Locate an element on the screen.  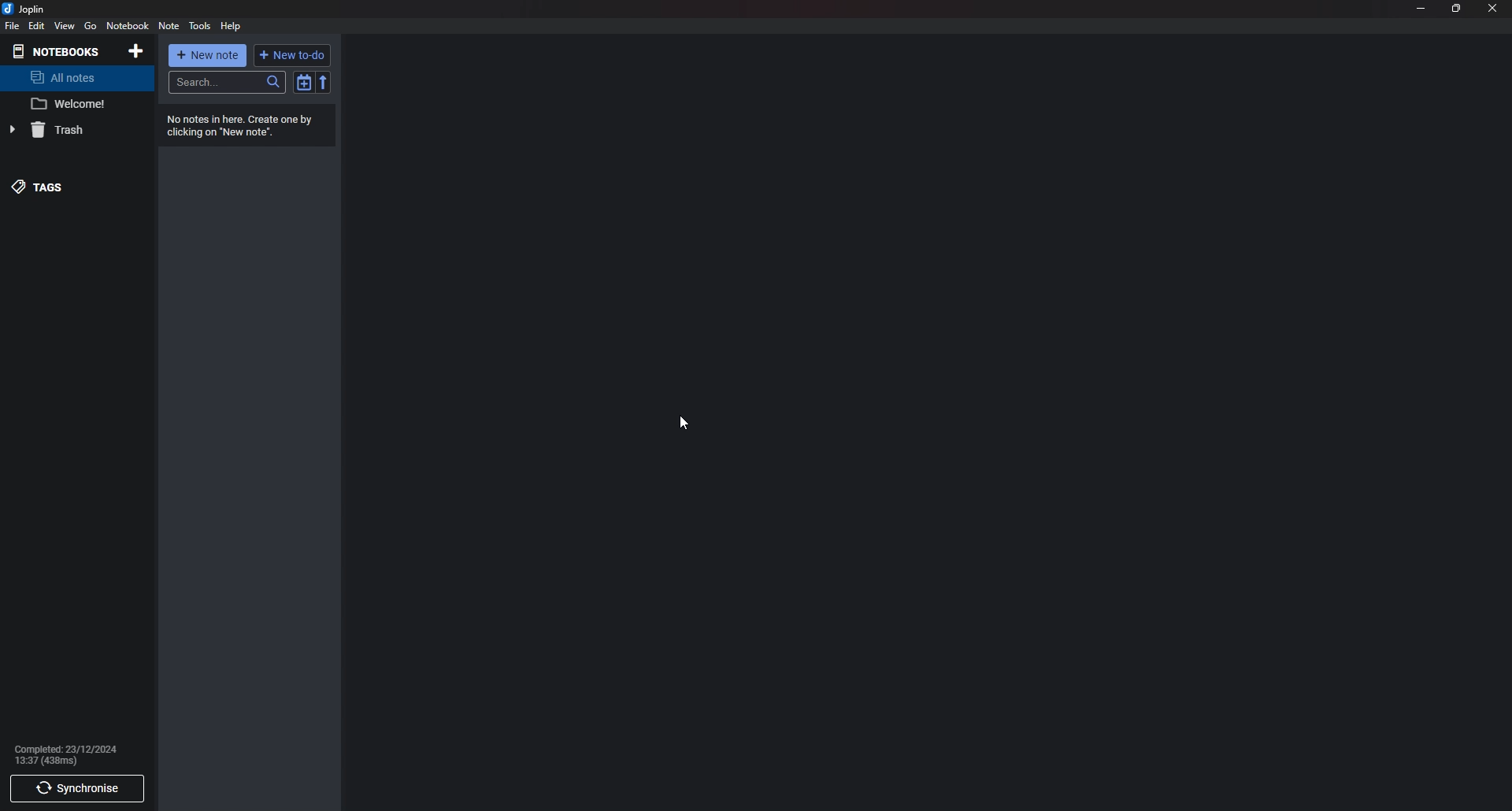
File is located at coordinates (12, 27).